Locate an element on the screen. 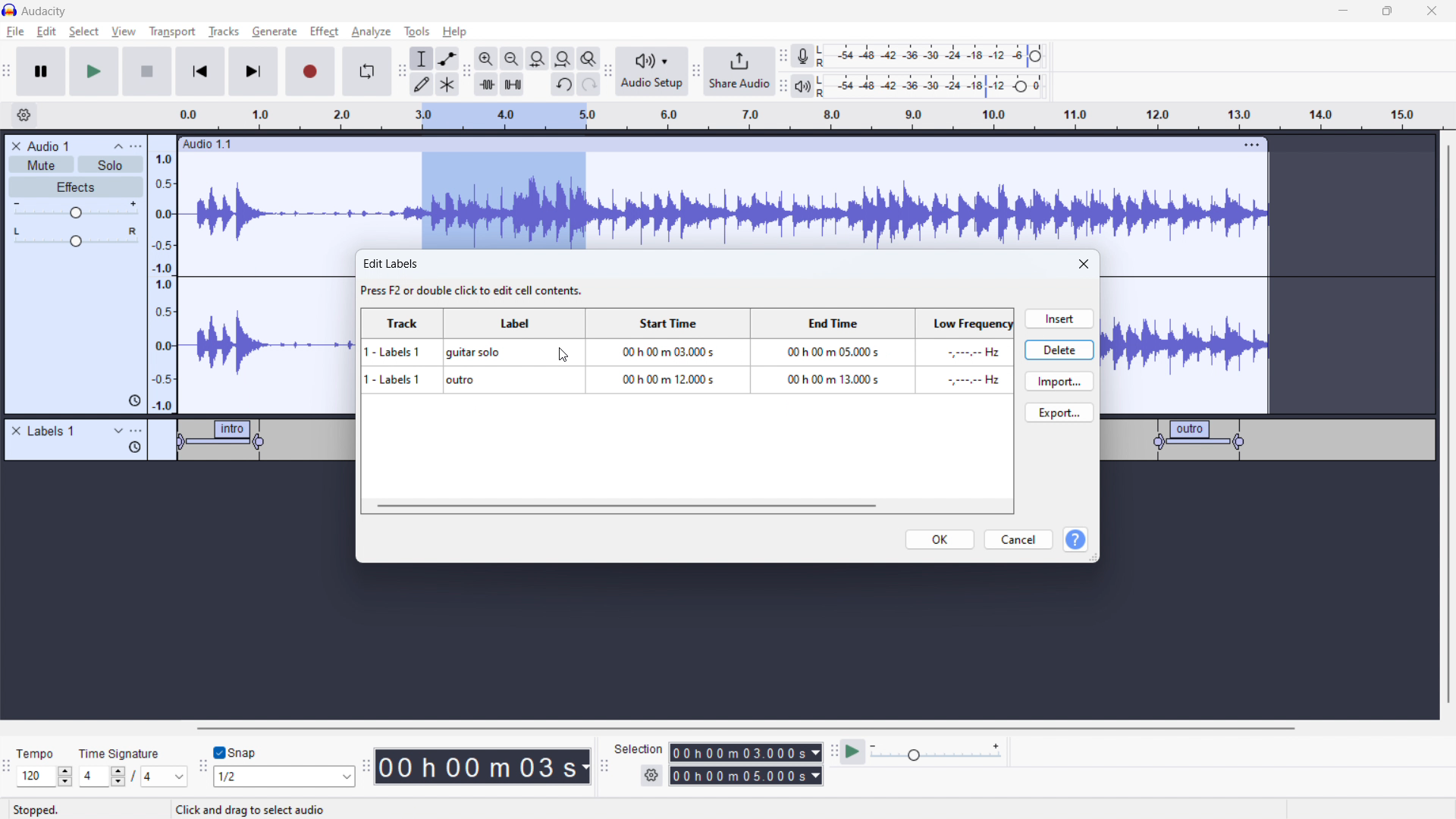  Audacity is located at coordinates (47, 11).